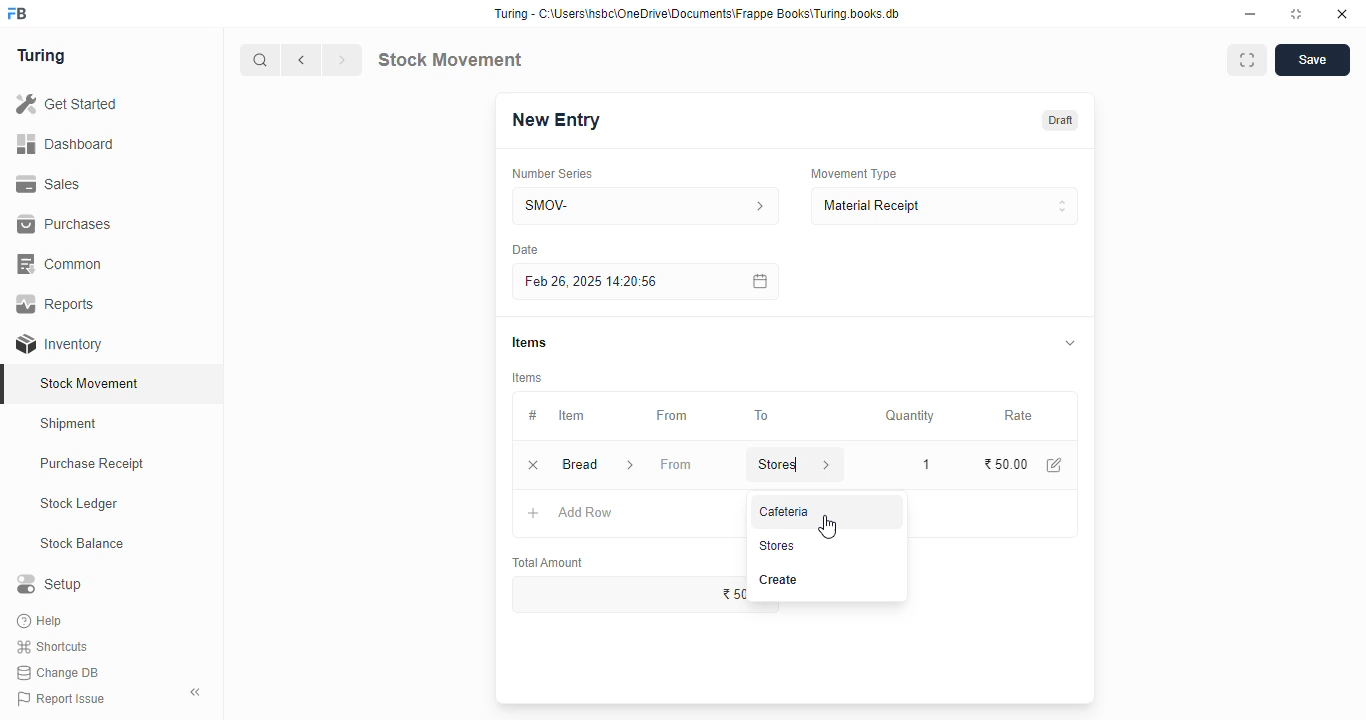 The height and width of the screenshot is (720, 1366). Describe the element at coordinates (1295, 14) in the screenshot. I see `toggle maximize` at that location.